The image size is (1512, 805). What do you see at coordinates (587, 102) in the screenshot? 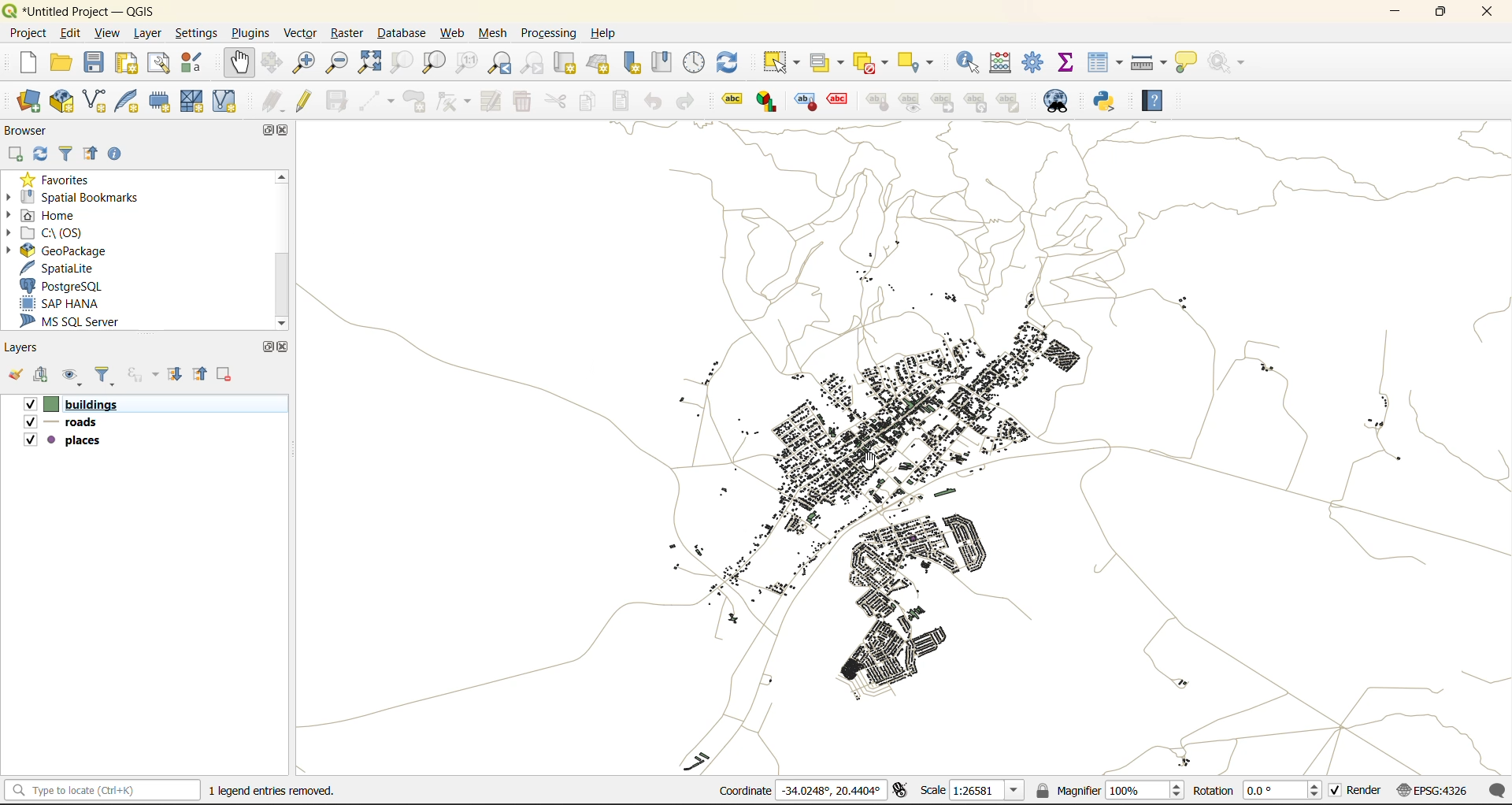
I see `copy` at bounding box center [587, 102].